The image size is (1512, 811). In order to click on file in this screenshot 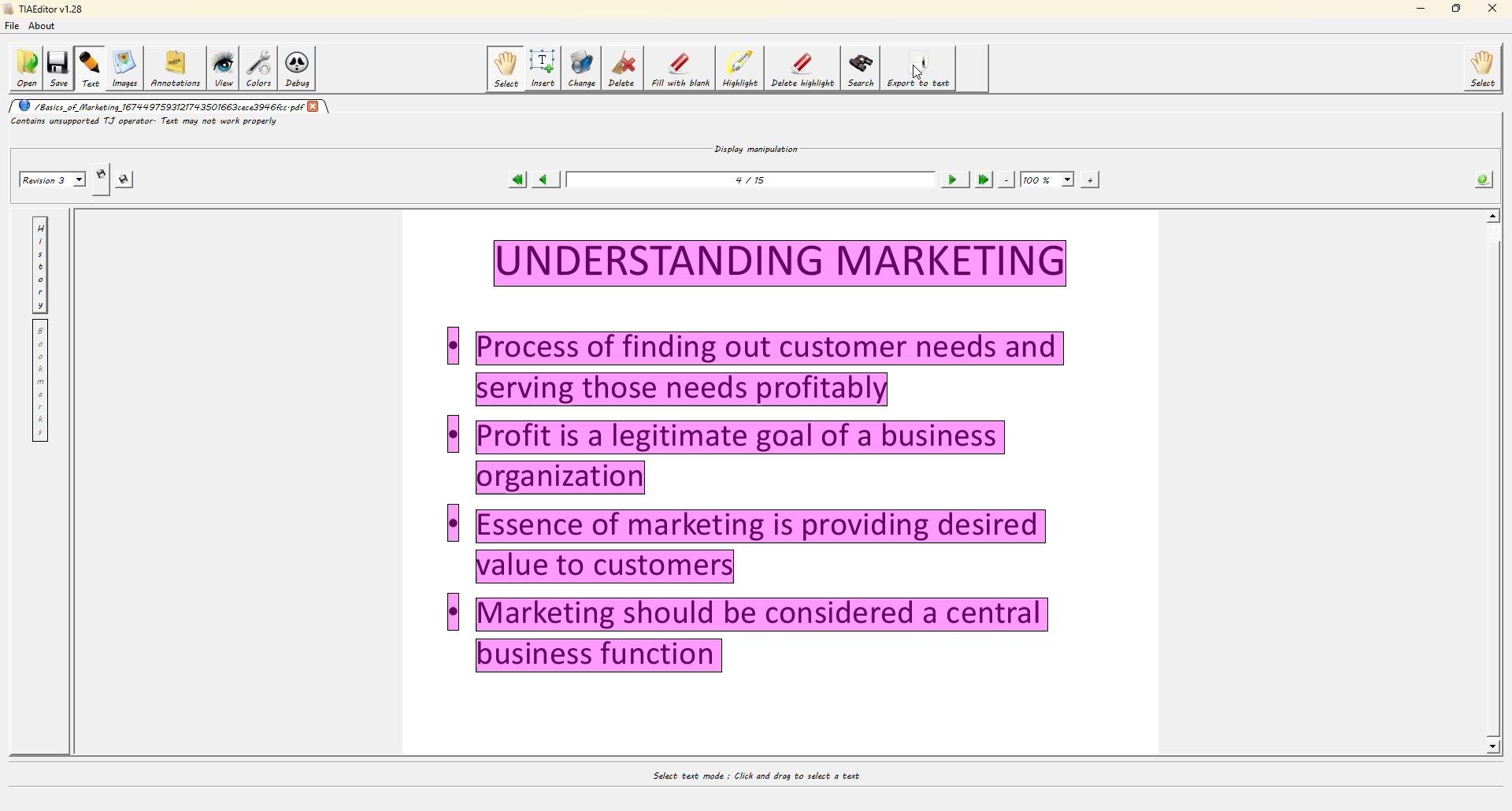, I will do `click(12, 28)`.